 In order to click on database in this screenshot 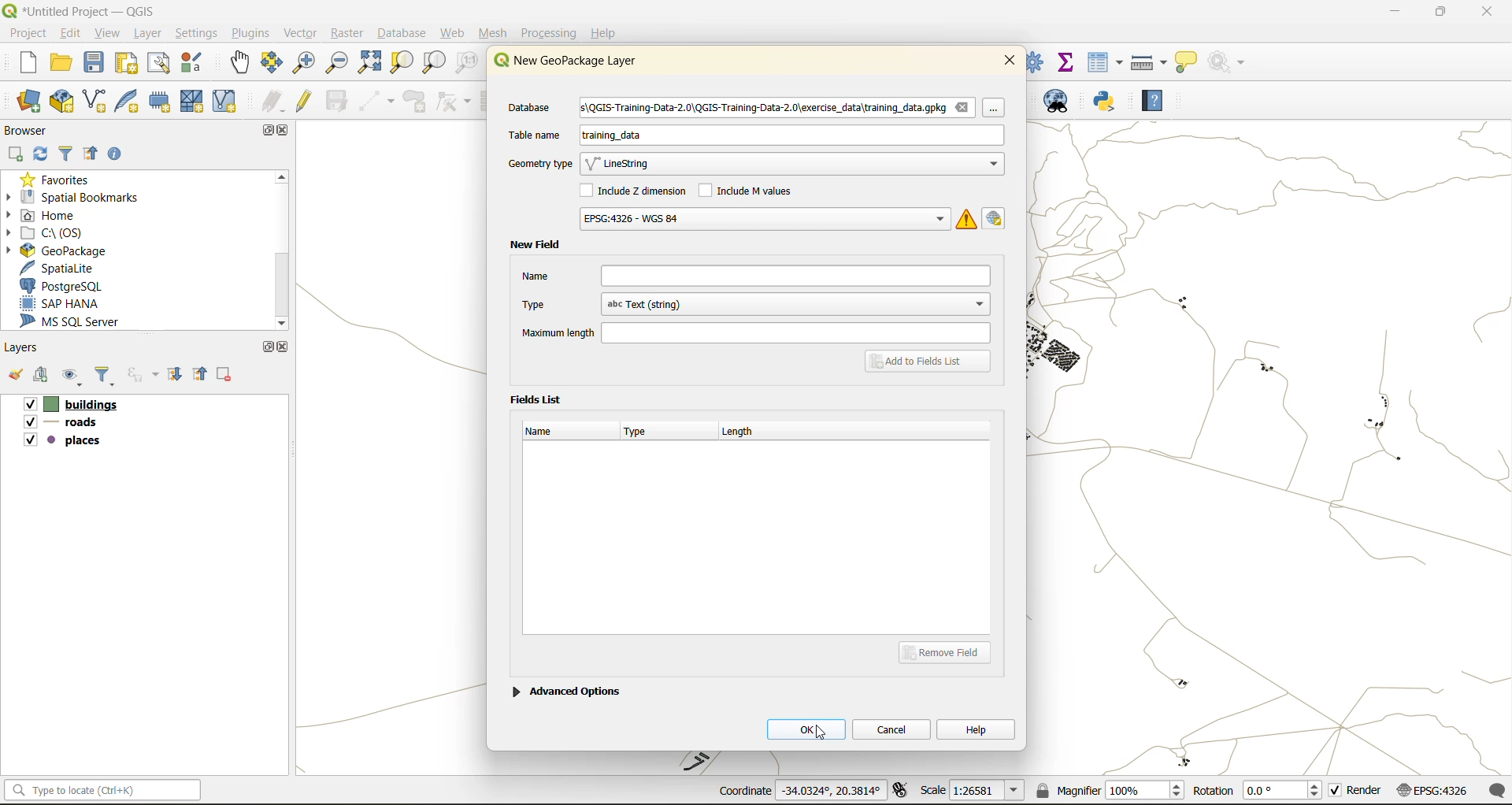, I will do `click(535, 109)`.